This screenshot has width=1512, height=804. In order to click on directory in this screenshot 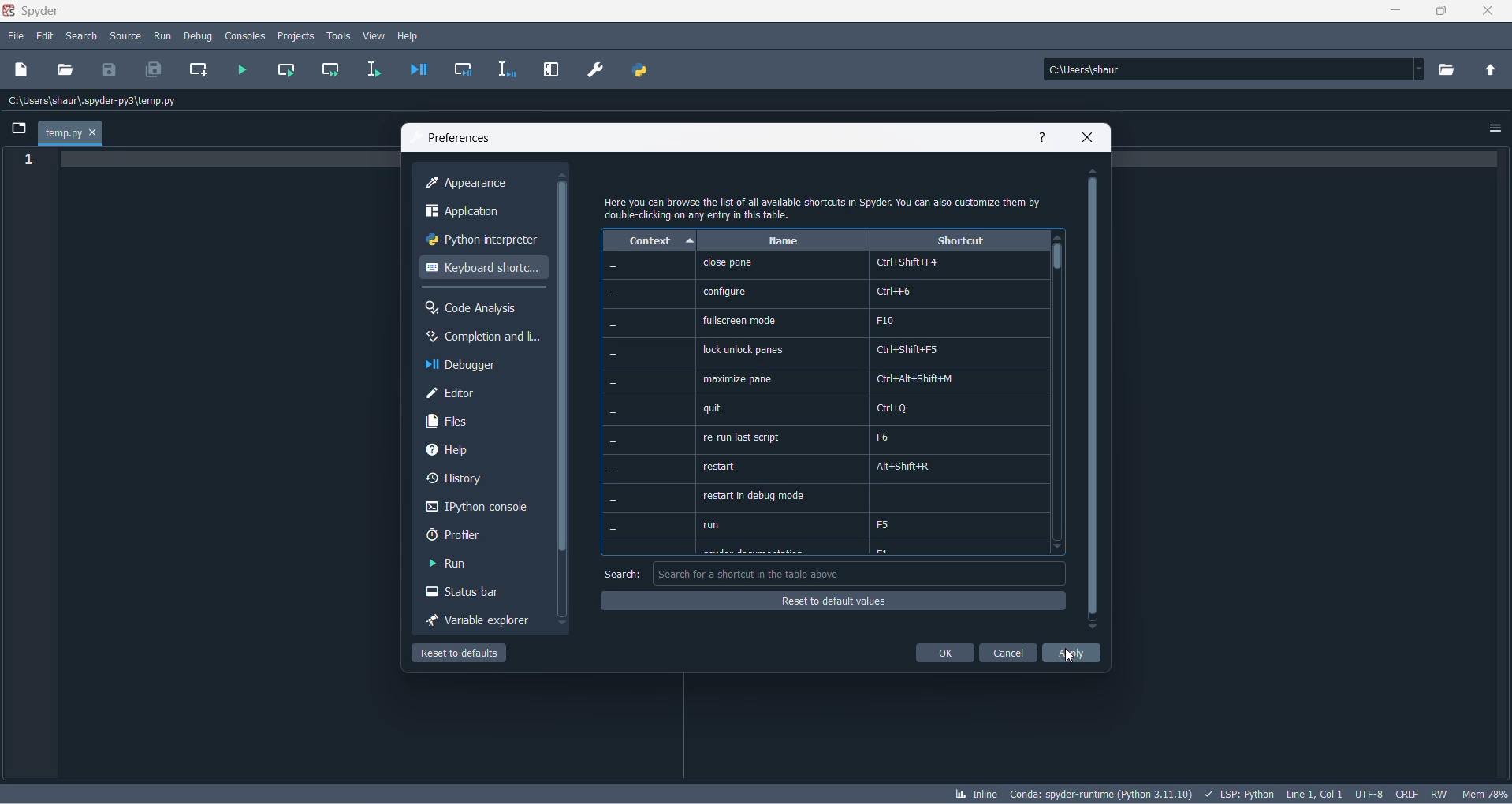, I will do `click(1451, 70)`.